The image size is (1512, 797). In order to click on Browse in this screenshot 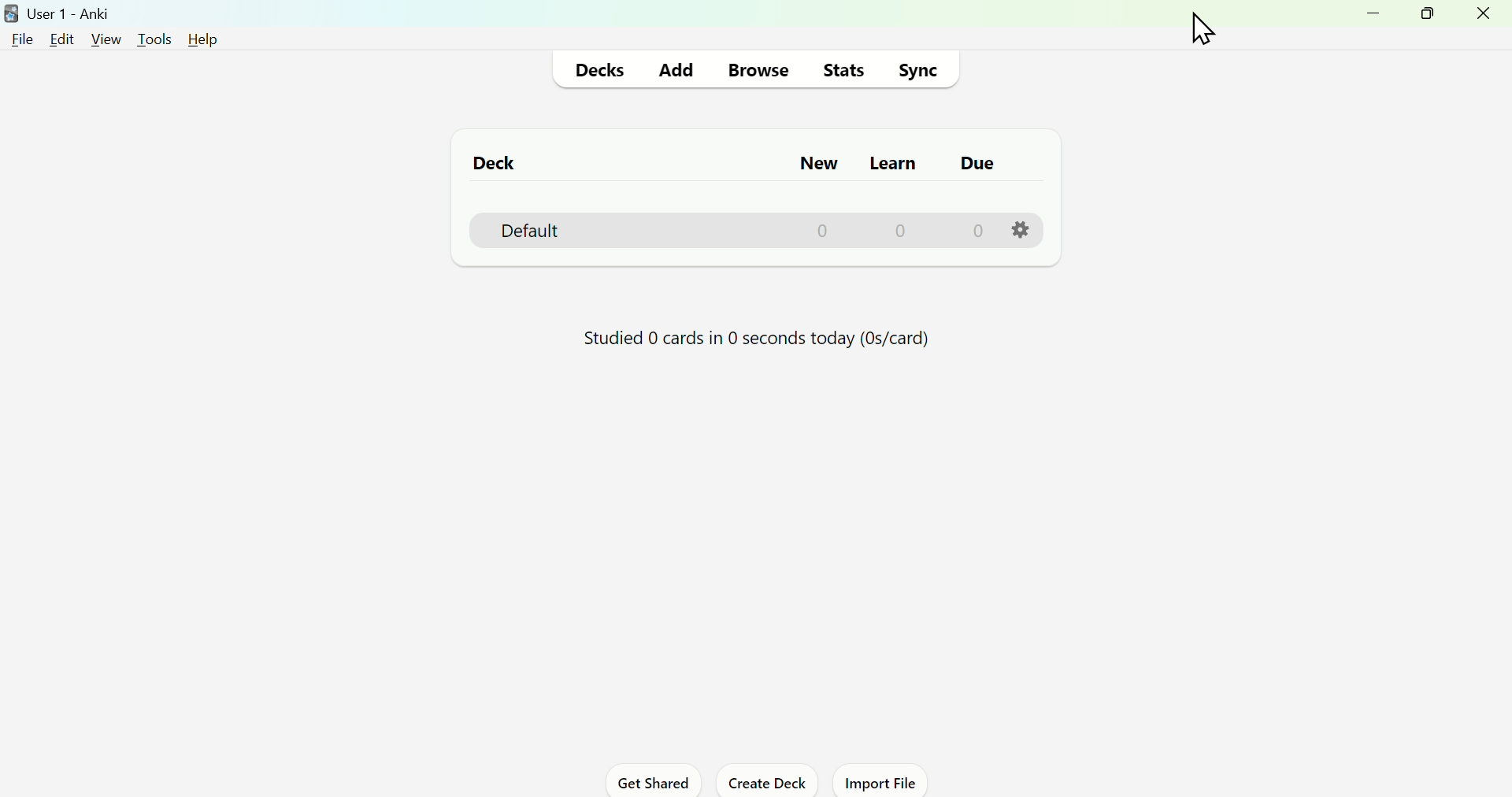, I will do `click(758, 71)`.